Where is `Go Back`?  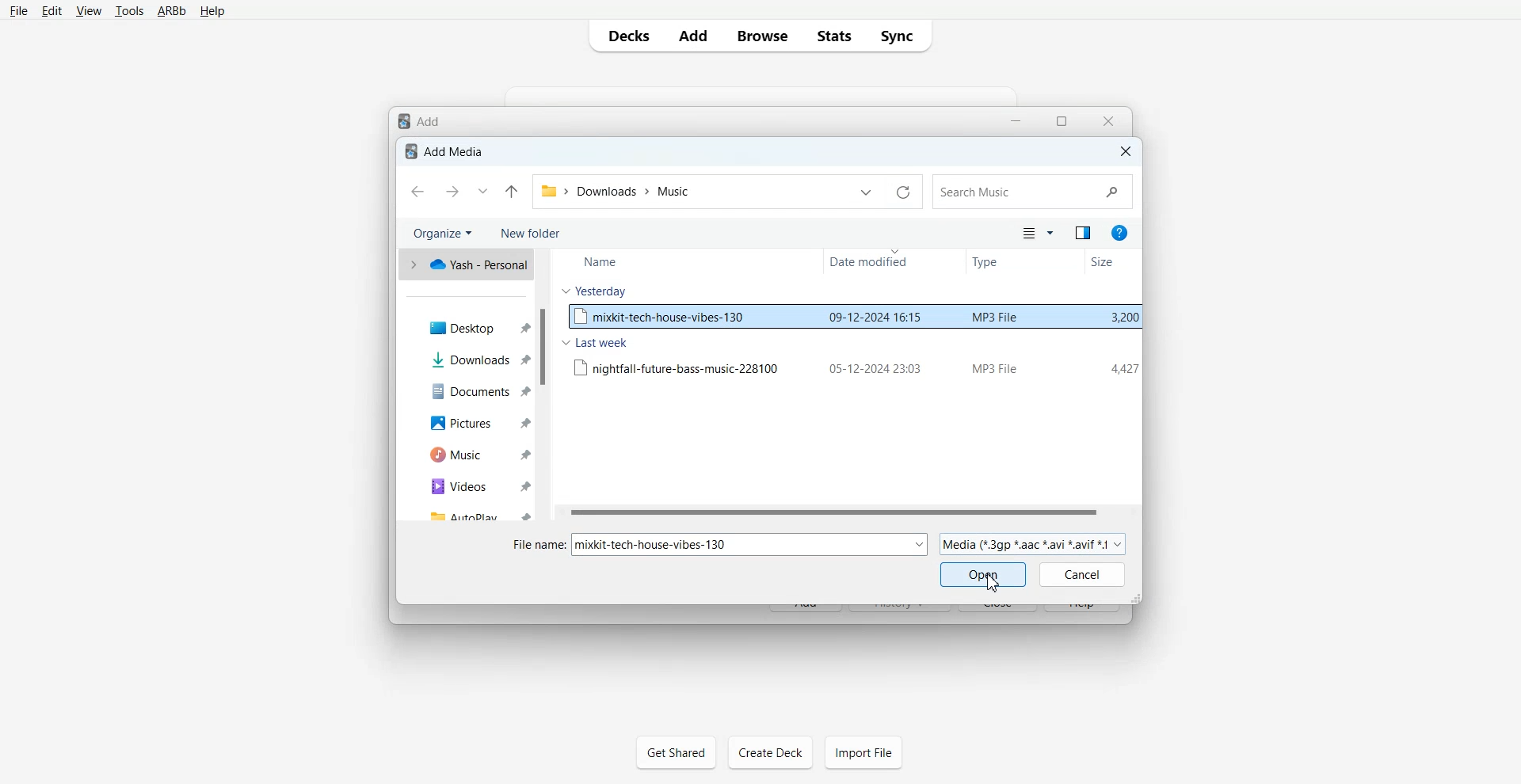
Go Back is located at coordinates (419, 192).